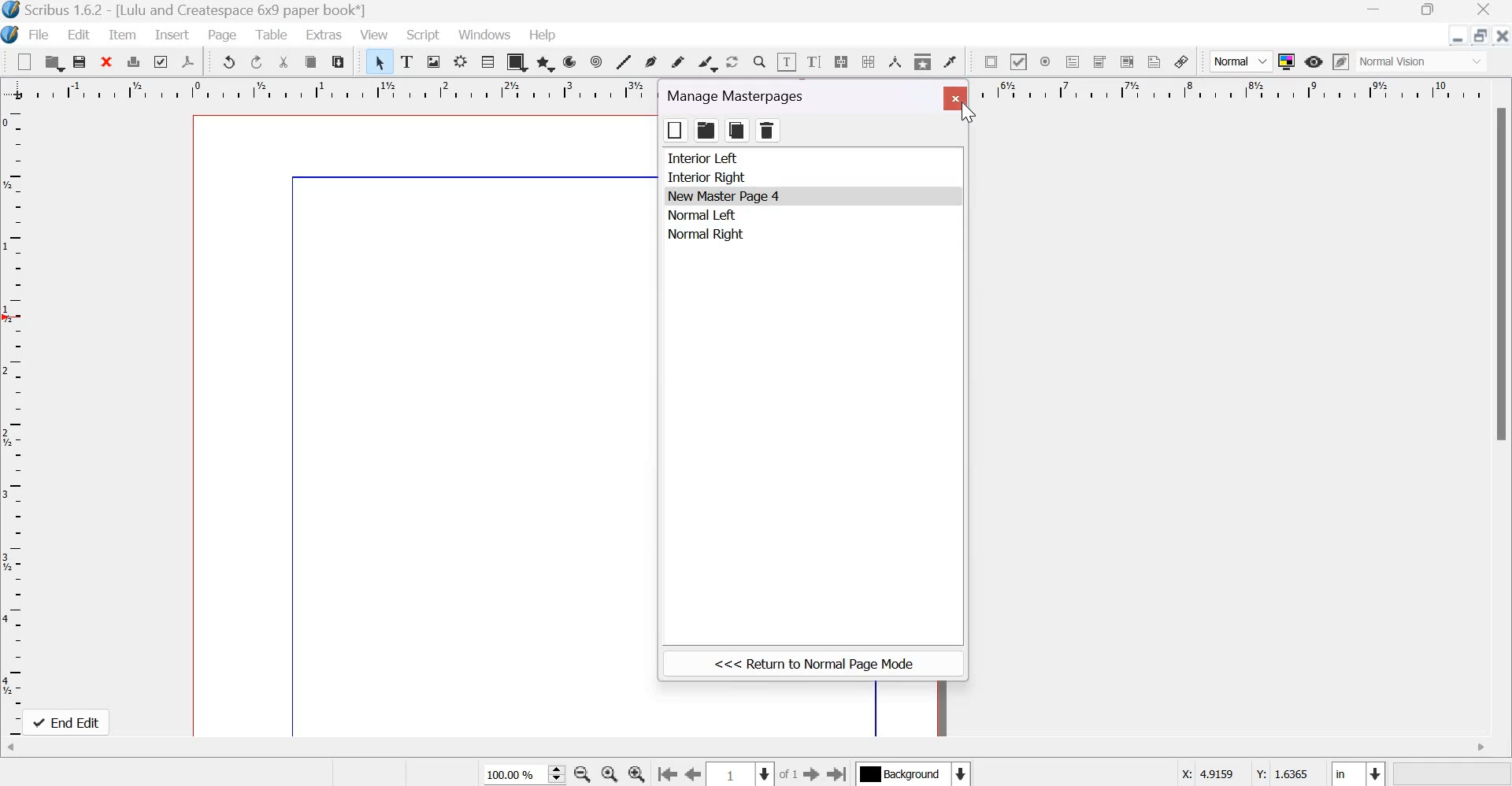 The height and width of the screenshot is (786, 1512). I want to click on zoom in to 100%, so click(606, 773).